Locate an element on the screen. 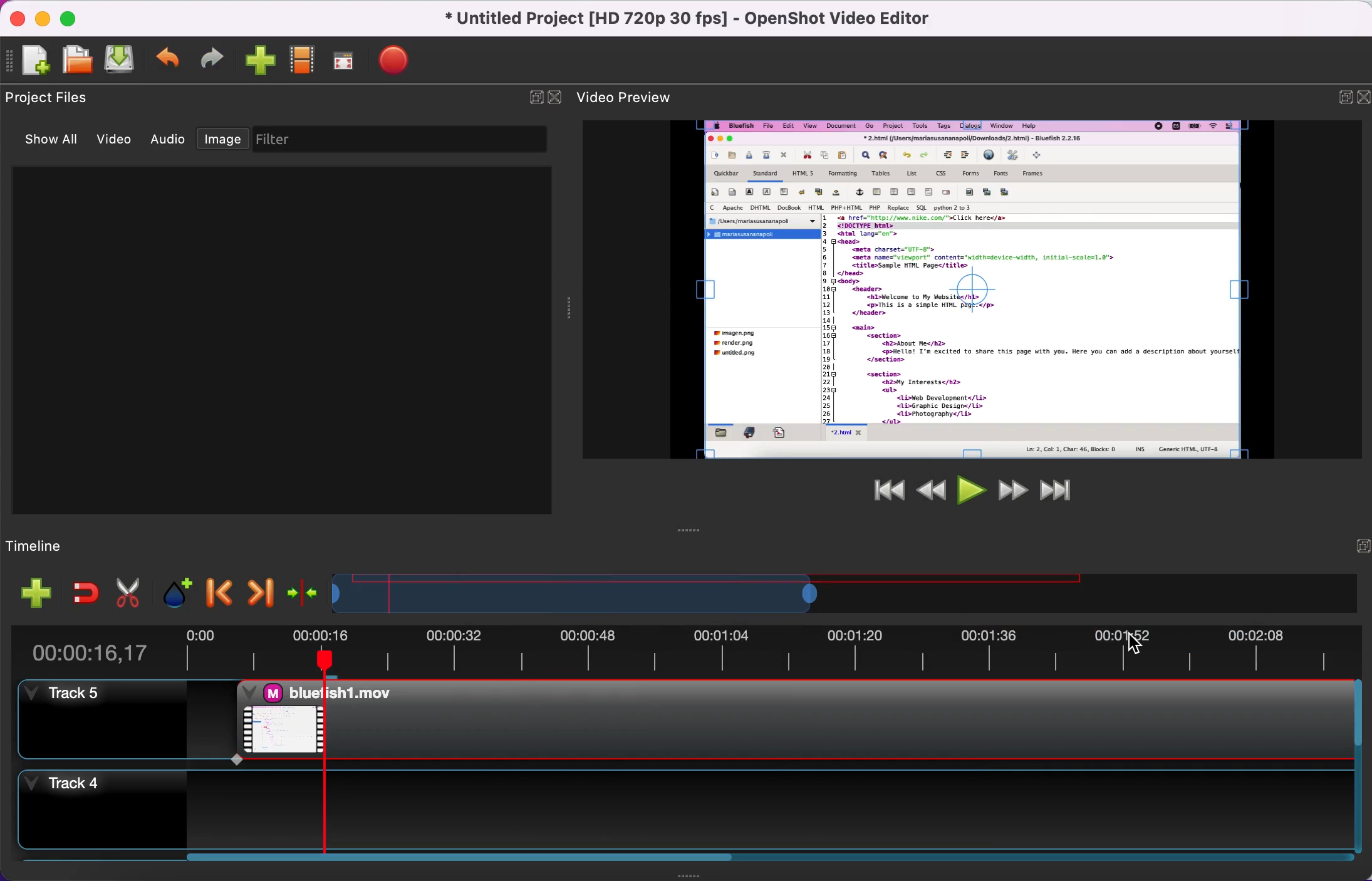 The height and width of the screenshot is (881, 1372). image is located at coordinates (226, 140).